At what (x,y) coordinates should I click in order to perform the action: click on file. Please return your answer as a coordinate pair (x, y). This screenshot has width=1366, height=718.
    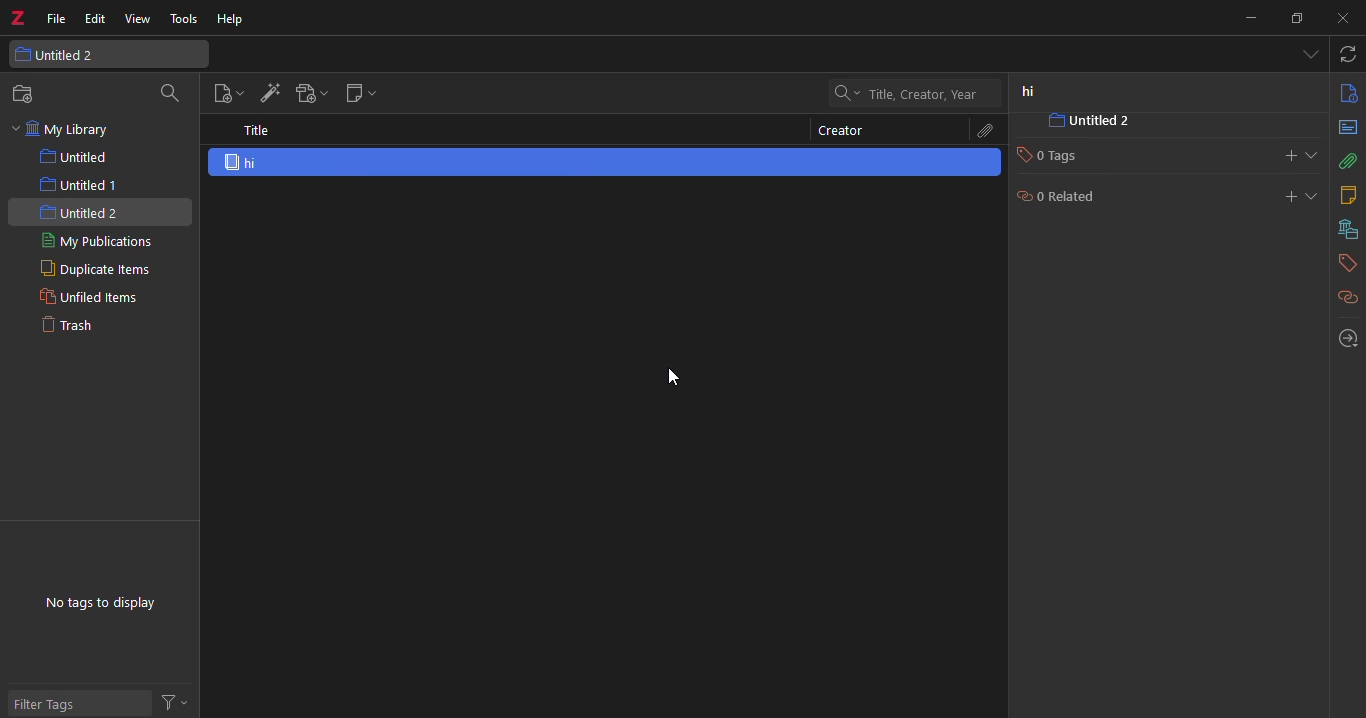
    Looking at the image, I should click on (55, 19).